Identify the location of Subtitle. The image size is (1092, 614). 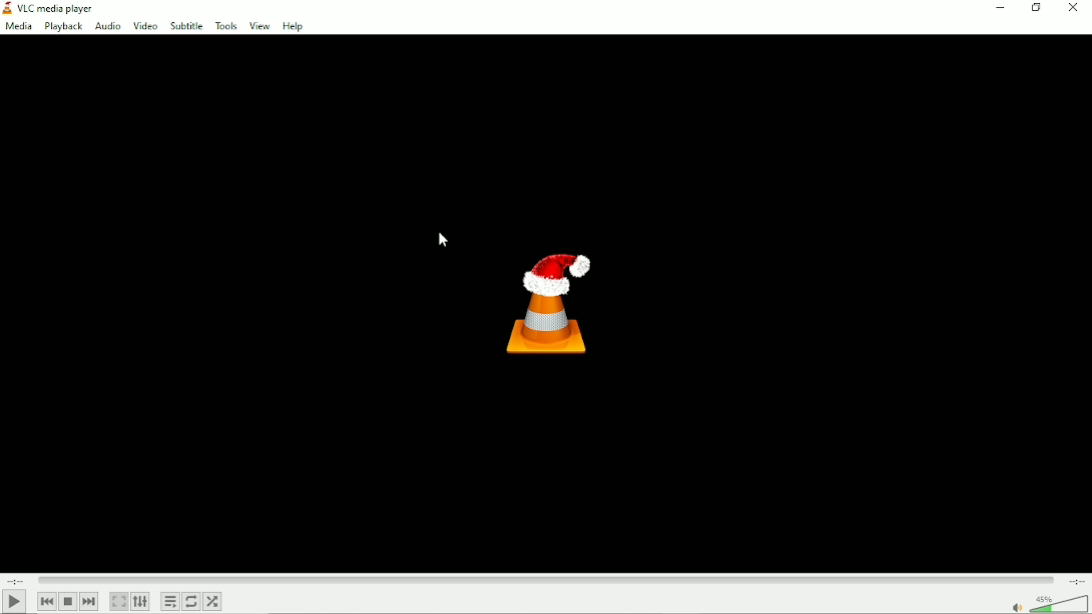
(188, 26).